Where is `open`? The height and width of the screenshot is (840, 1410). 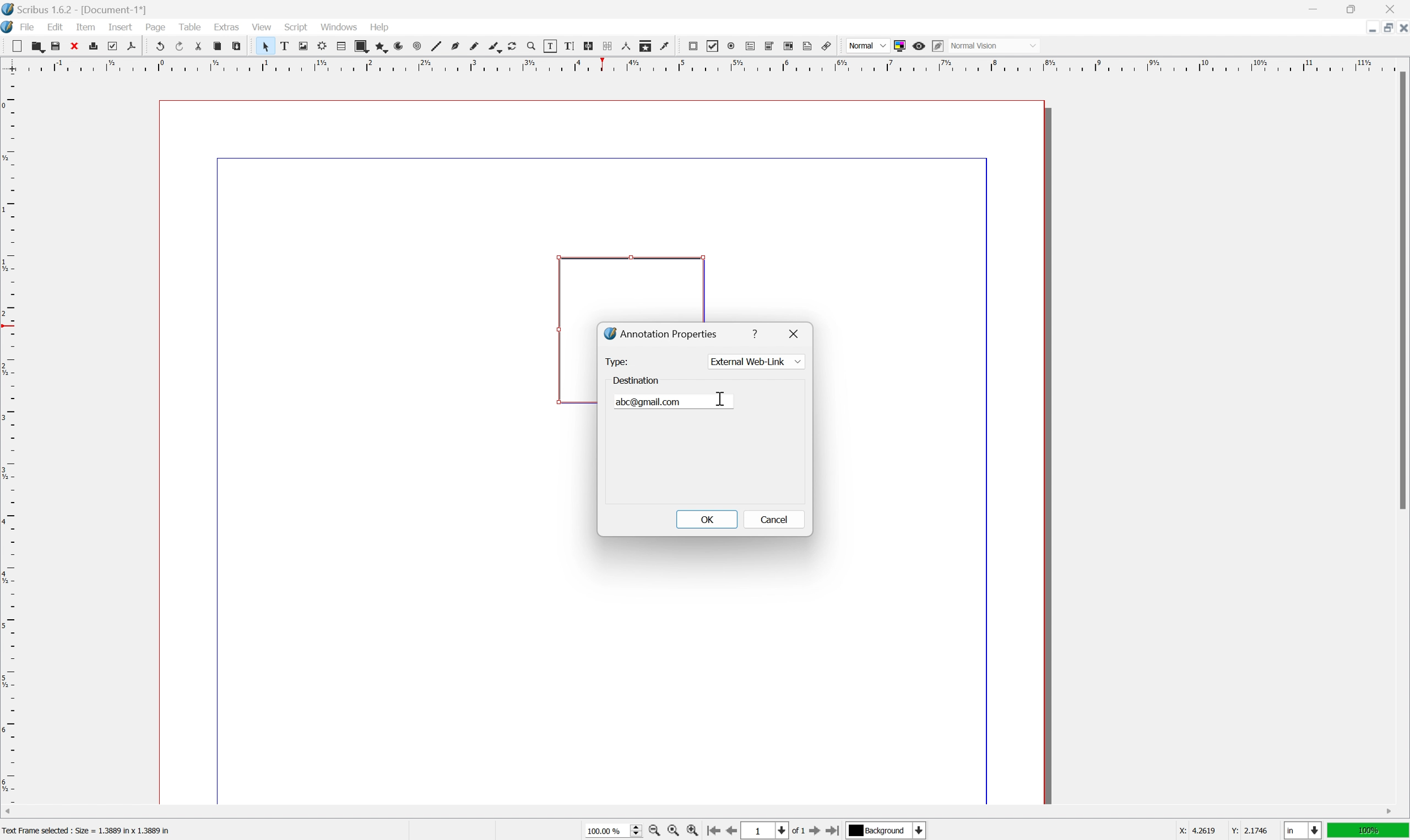 open is located at coordinates (39, 46).